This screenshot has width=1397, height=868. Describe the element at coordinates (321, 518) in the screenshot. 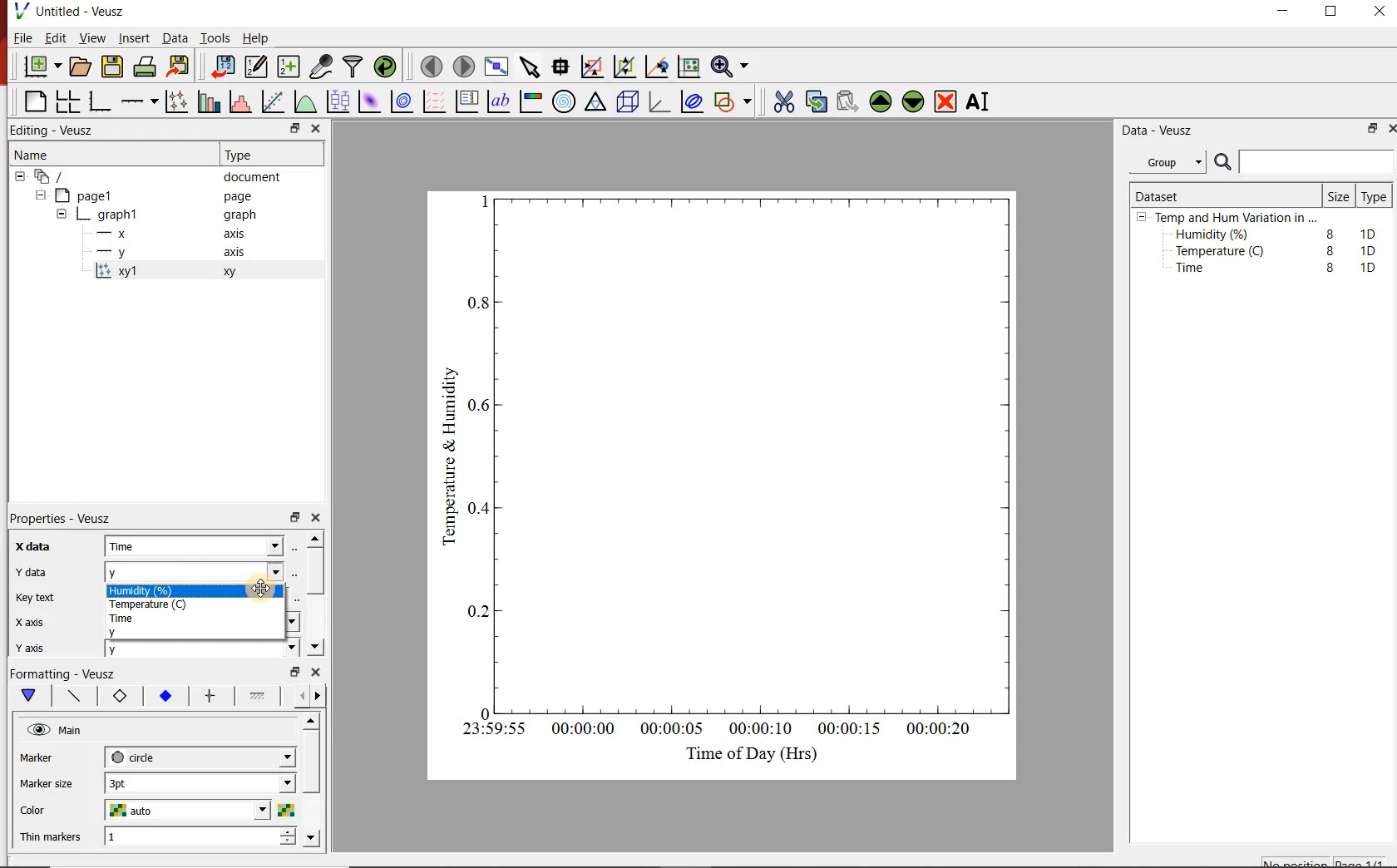

I see `close` at that location.